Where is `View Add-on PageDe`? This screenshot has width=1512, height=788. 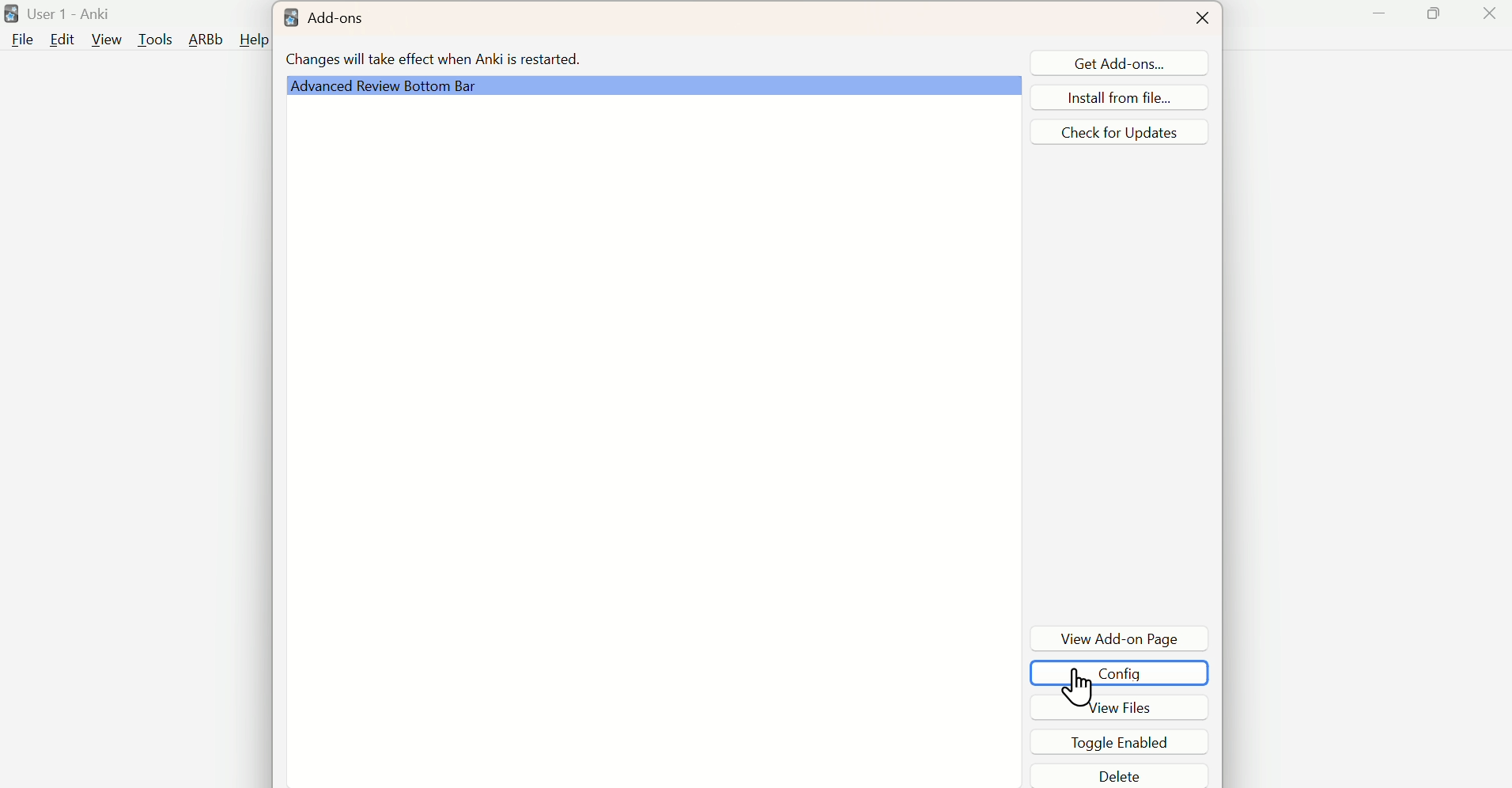 View Add-on PageDe is located at coordinates (1121, 638).